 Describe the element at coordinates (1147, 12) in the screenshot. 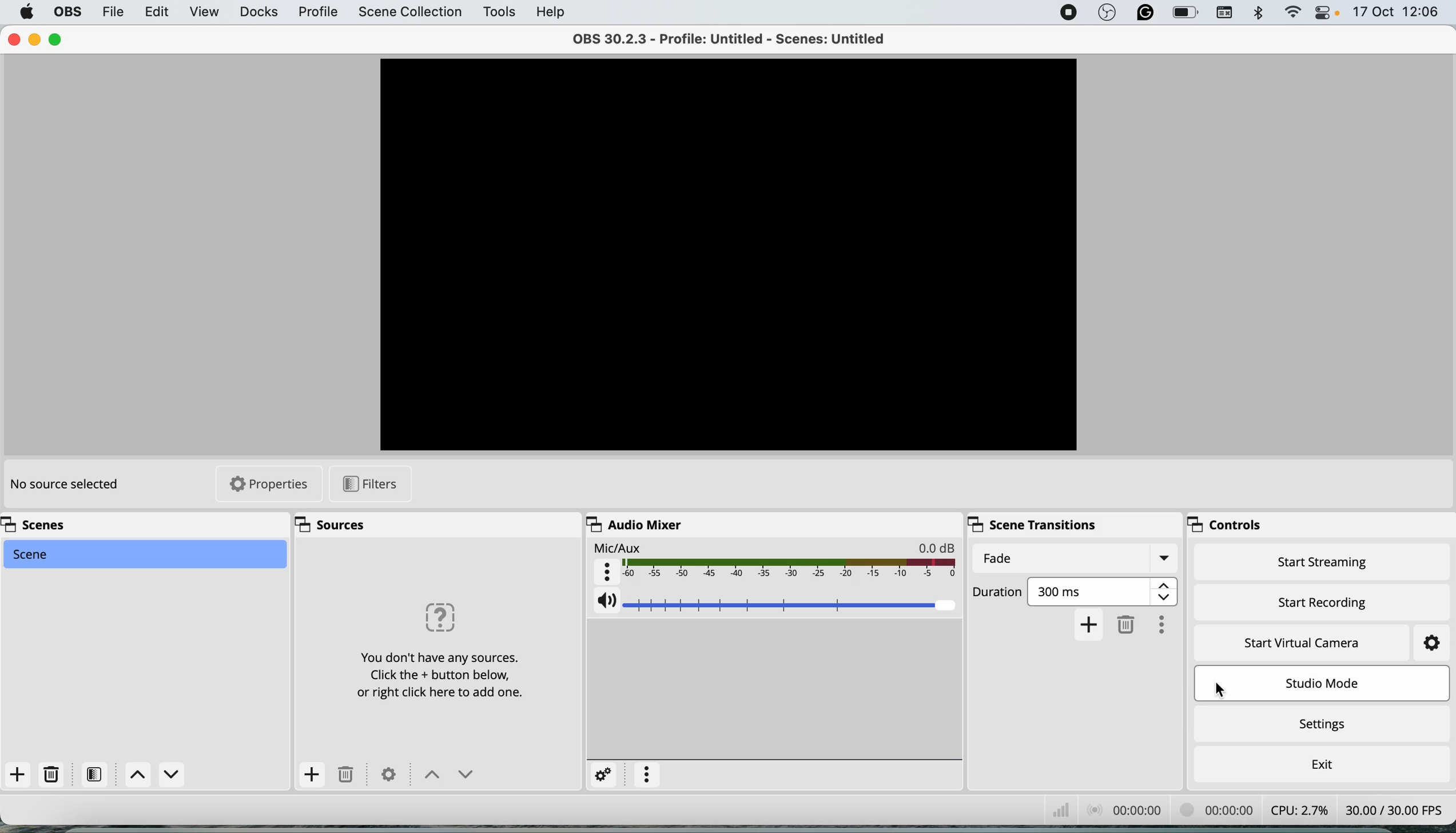

I see `grammarly` at that location.